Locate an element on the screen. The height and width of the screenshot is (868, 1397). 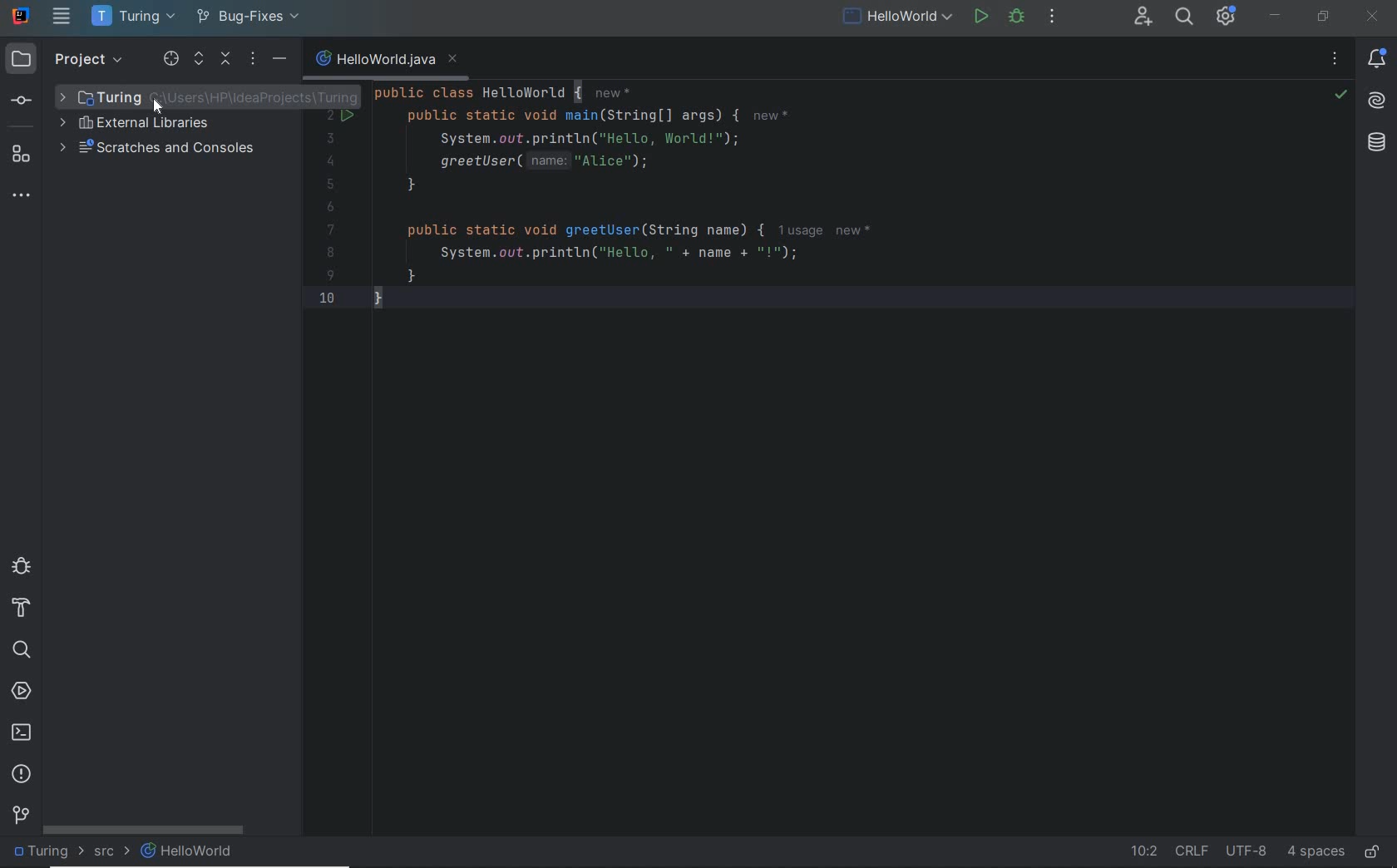
project folder is located at coordinates (46, 852).